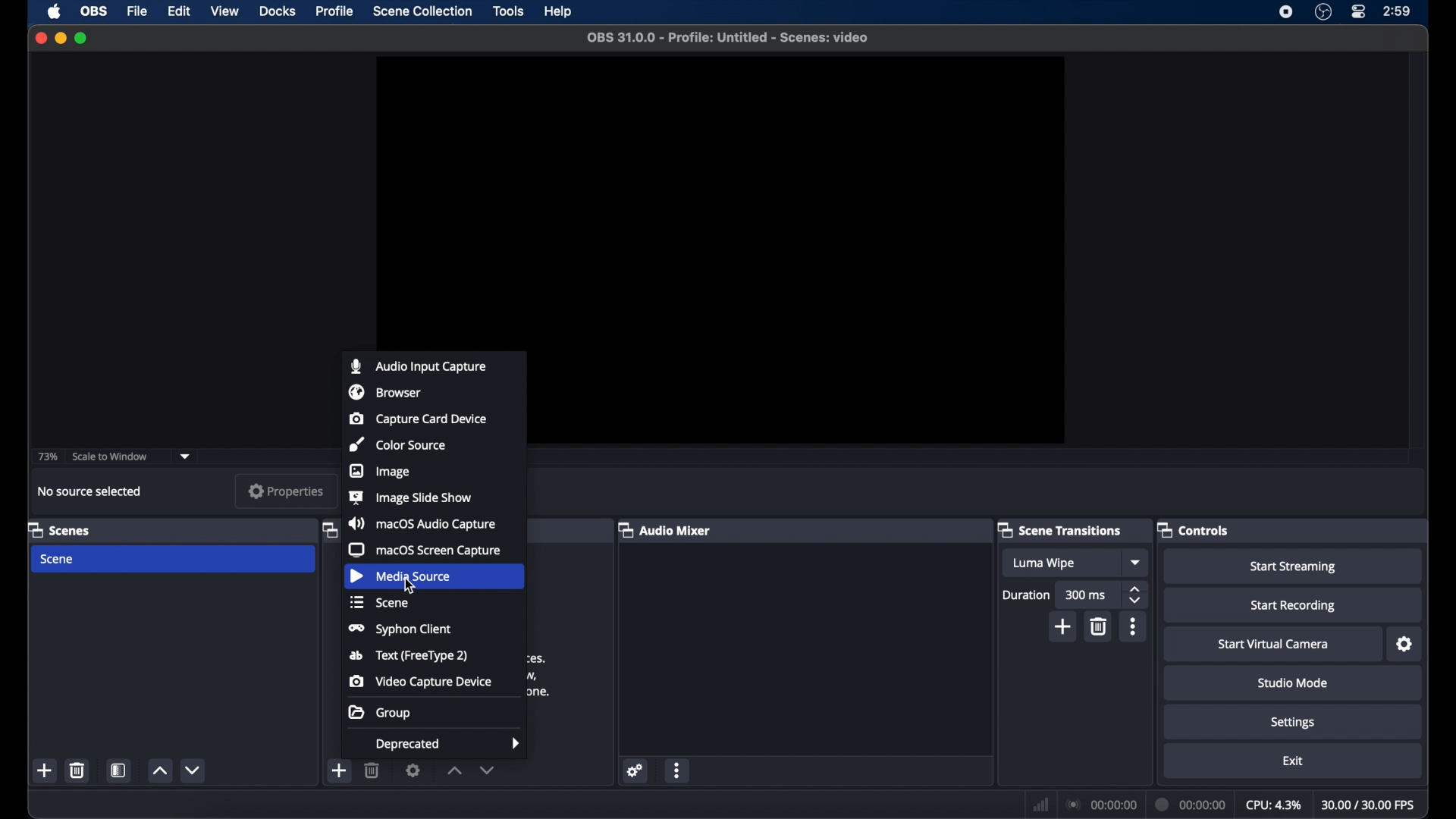 The image size is (1456, 819). I want to click on settings, so click(635, 771).